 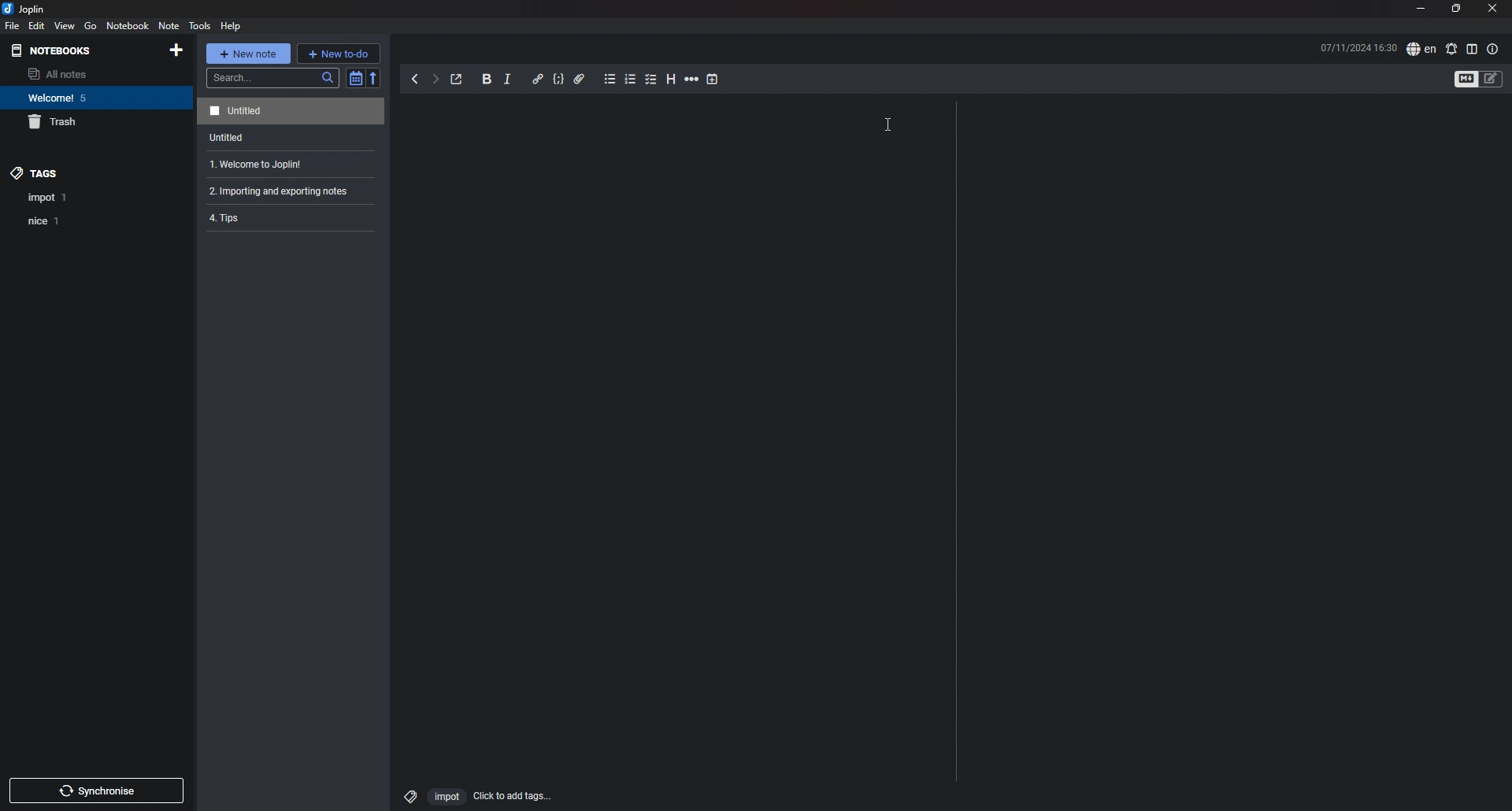 I want to click on go, so click(x=91, y=25).